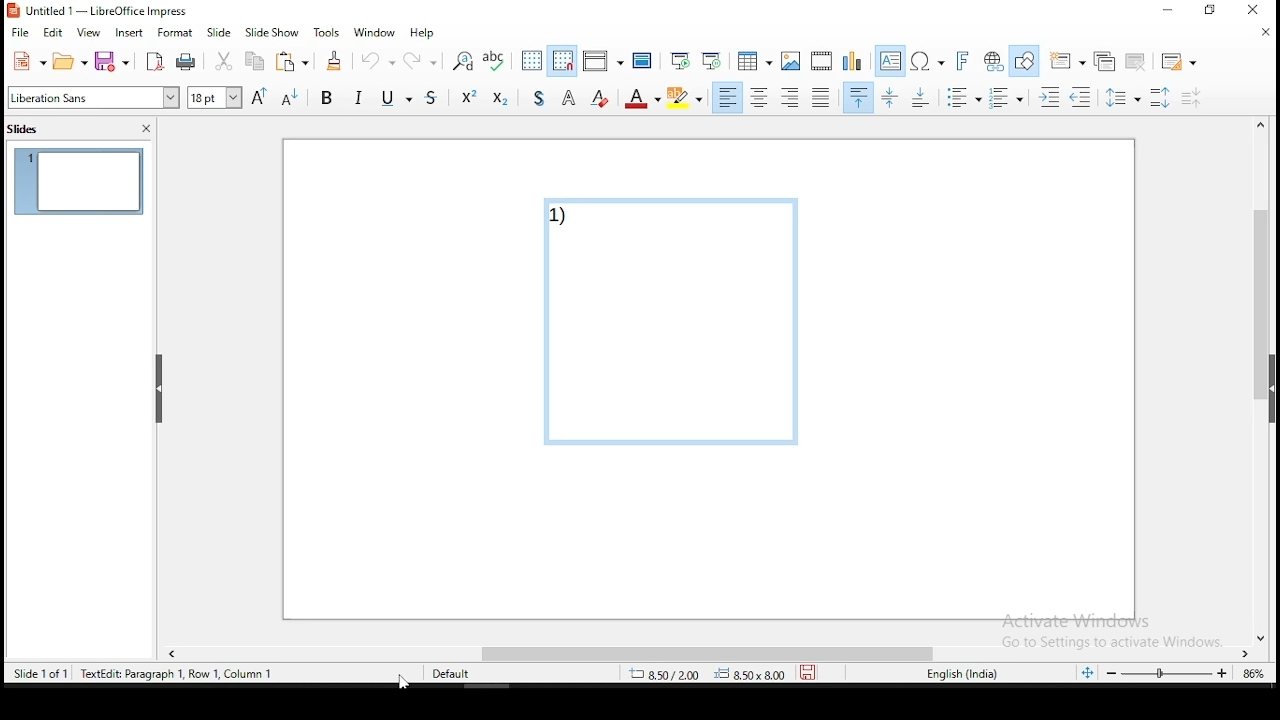  I want to click on snap to grid, so click(562, 61).